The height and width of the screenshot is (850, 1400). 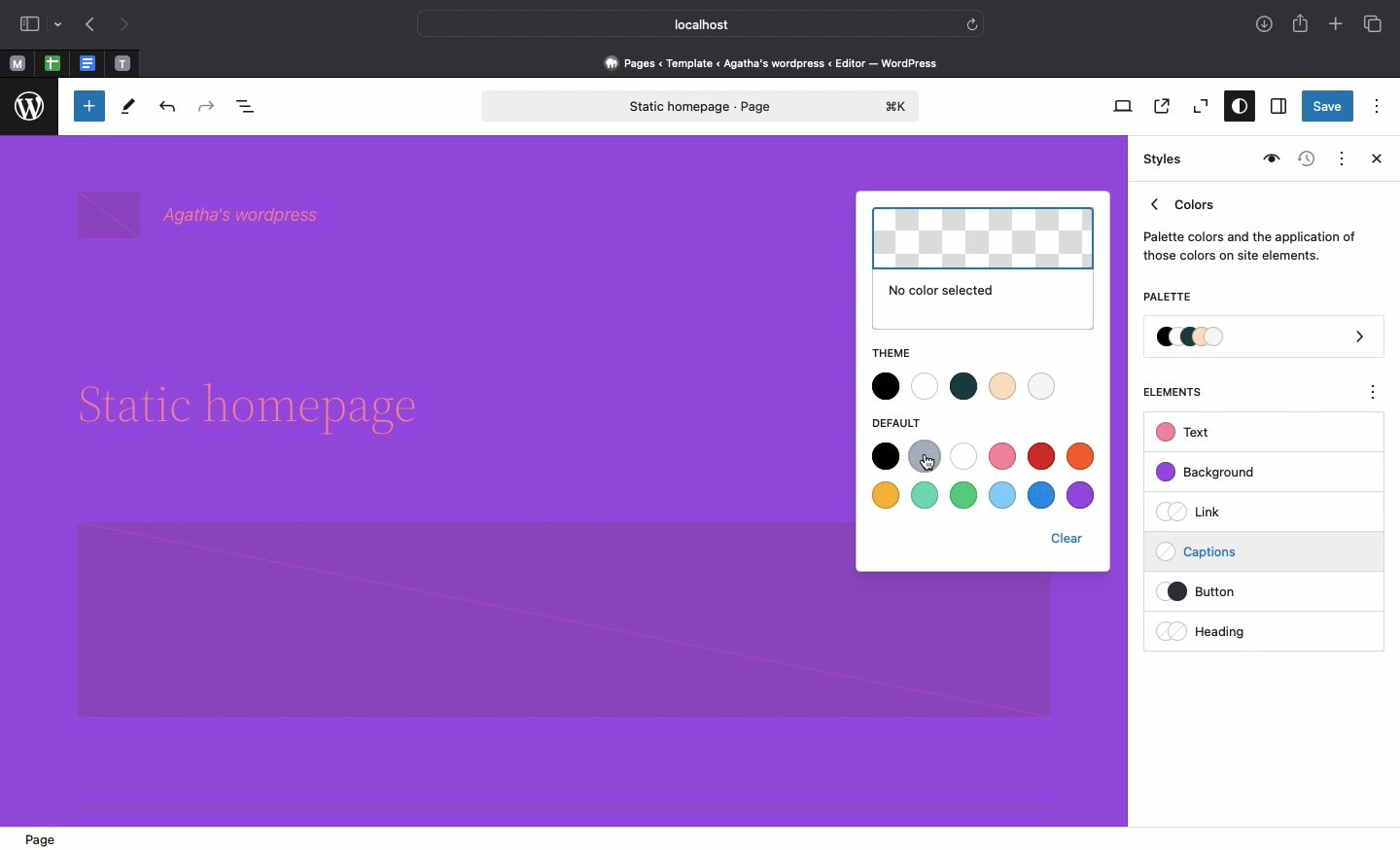 What do you see at coordinates (1304, 160) in the screenshot?
I see `Revisions` at bounding box center [1304, 160].